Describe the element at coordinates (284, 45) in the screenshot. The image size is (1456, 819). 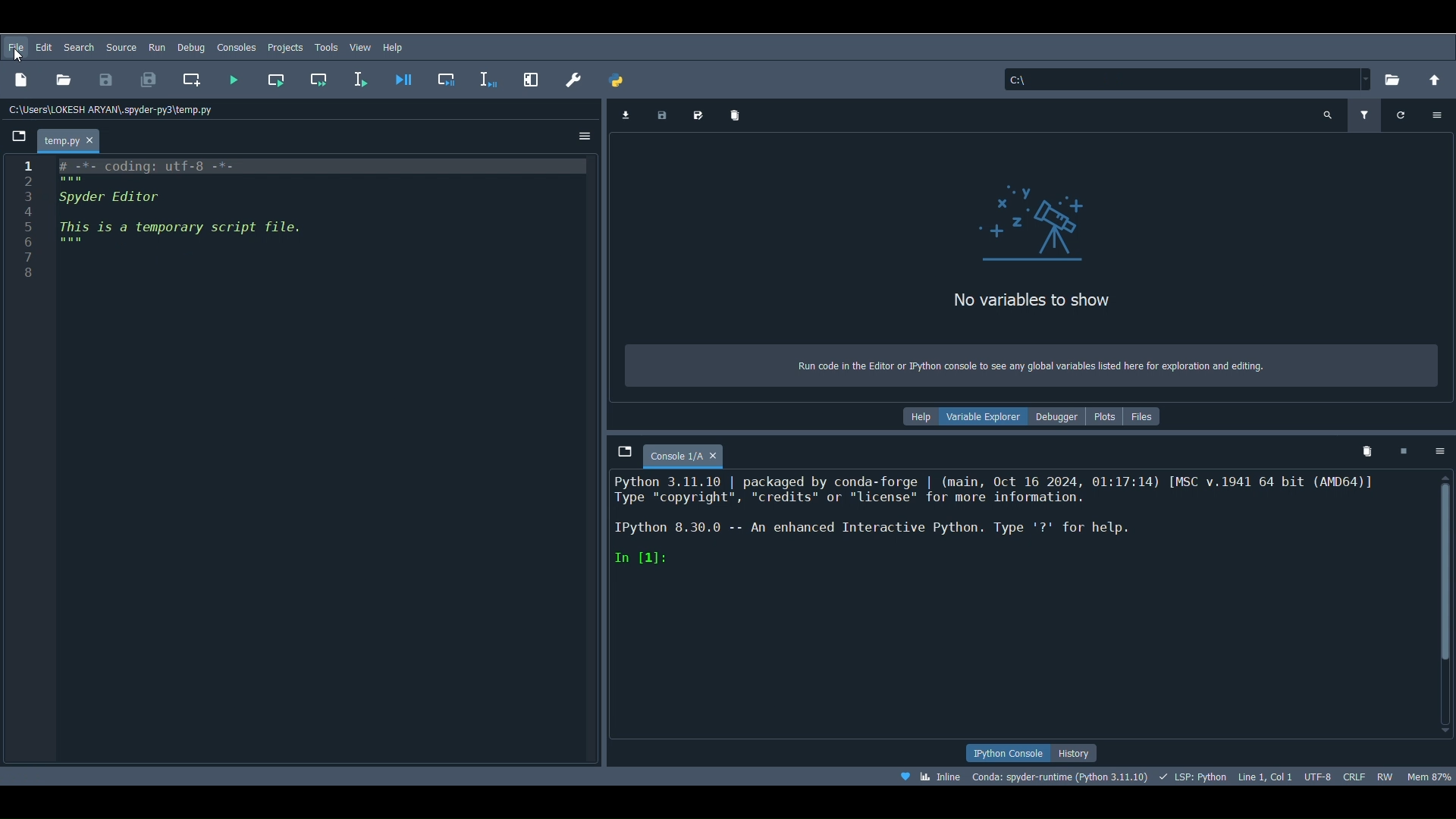
I see `Projects` at that location.